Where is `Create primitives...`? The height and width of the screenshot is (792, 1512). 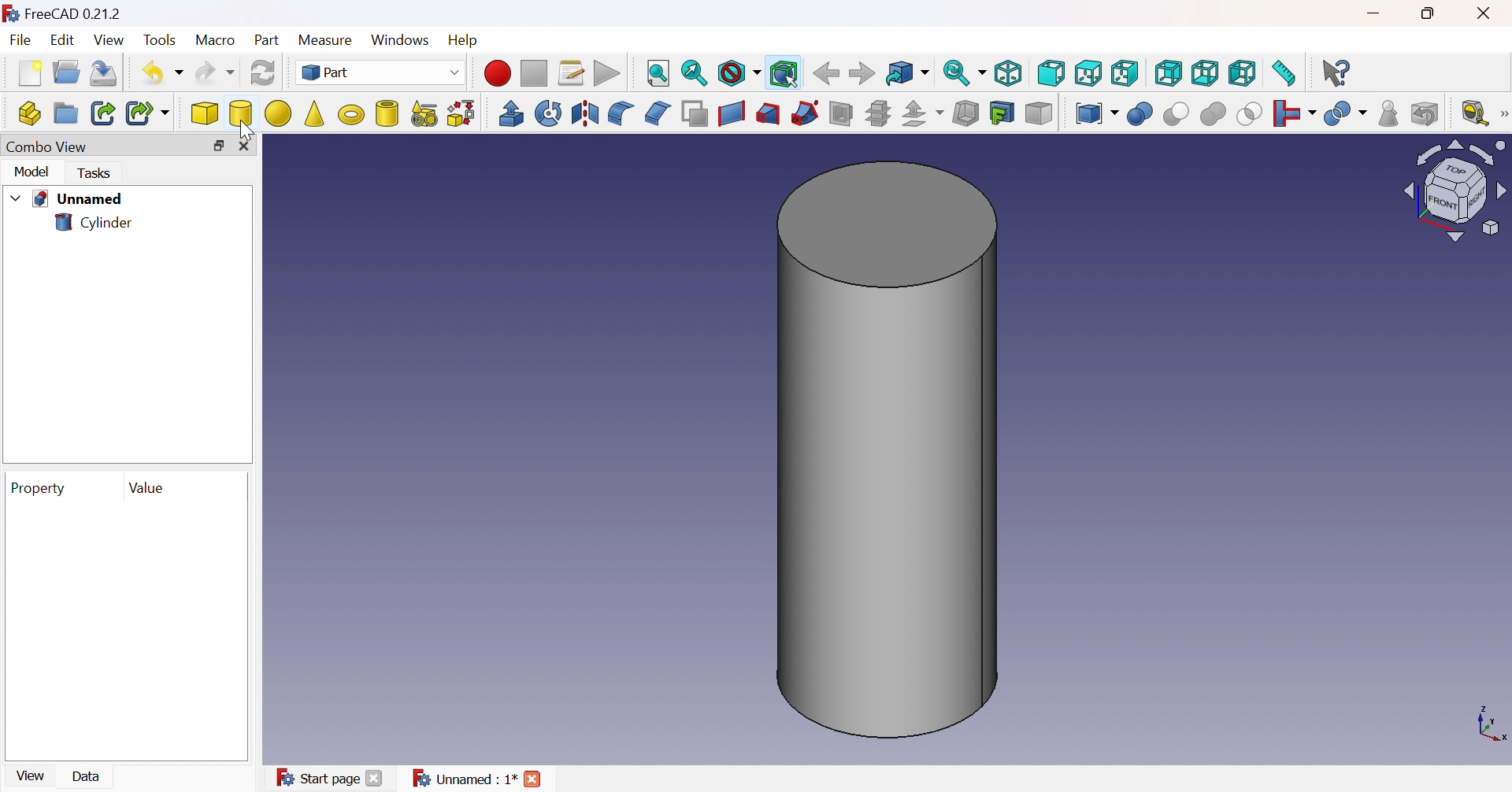
Create primitives... is located at coordinates (424, 116).